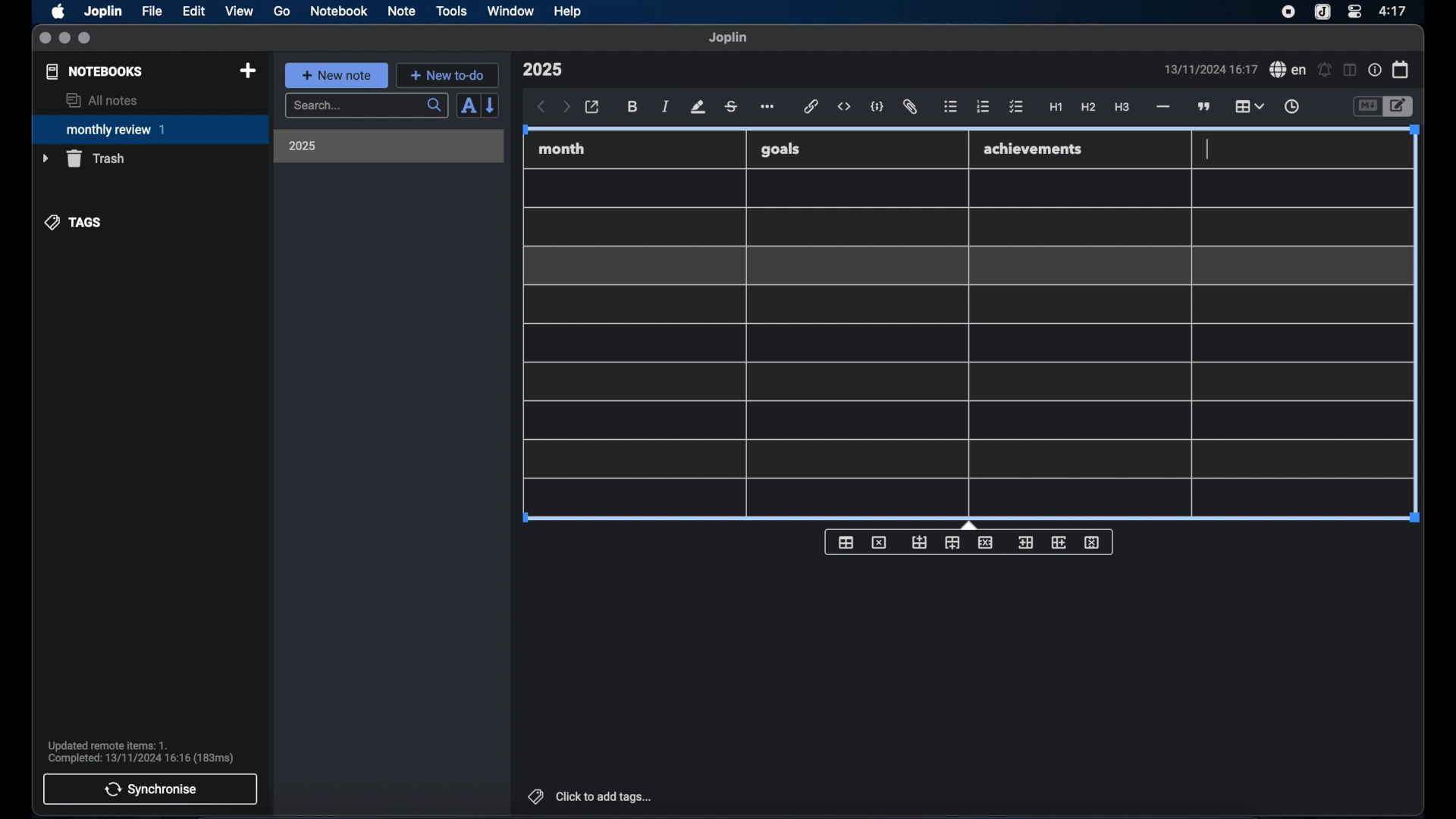 This screenshot has height=819, width=1456. Describe the element at coordinates (666, 106) in the screenshot. I see `italic` at that location.